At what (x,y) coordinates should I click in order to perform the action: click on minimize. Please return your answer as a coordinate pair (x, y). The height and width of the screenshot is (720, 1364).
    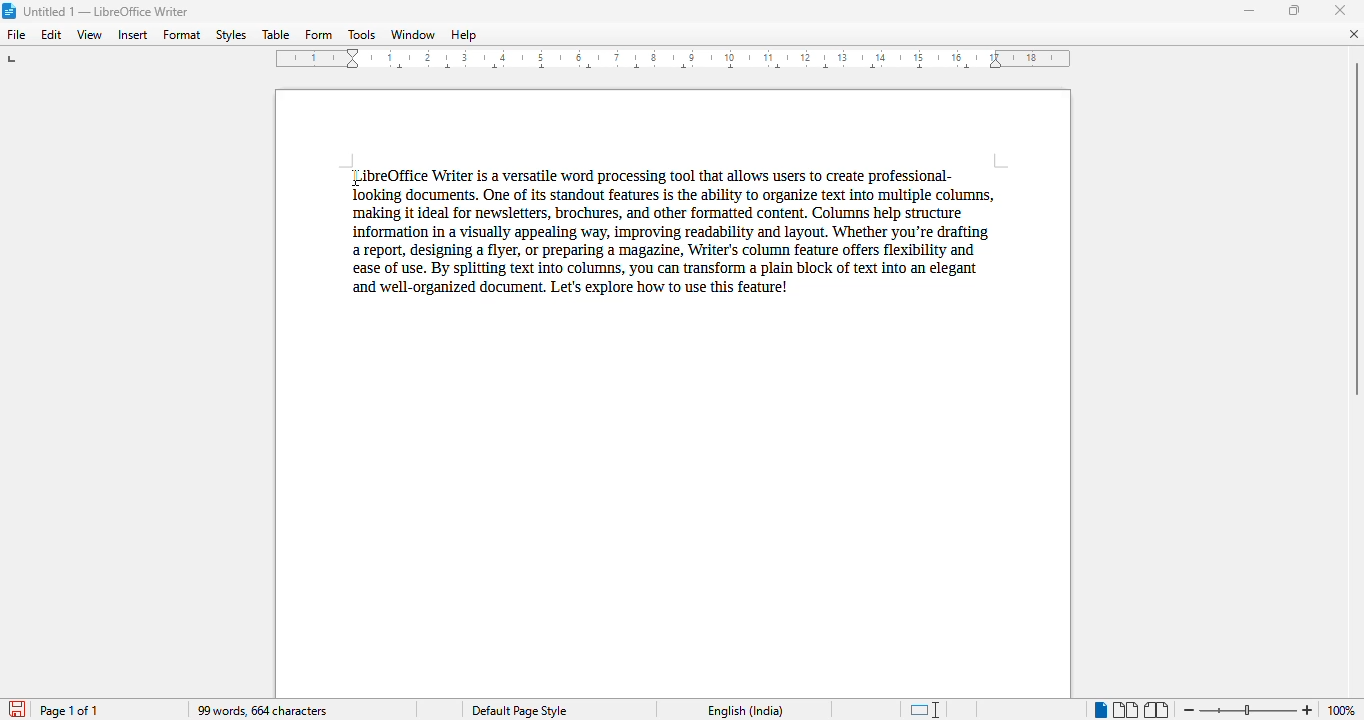
    Looking at the image, I should click on (1249, 12).